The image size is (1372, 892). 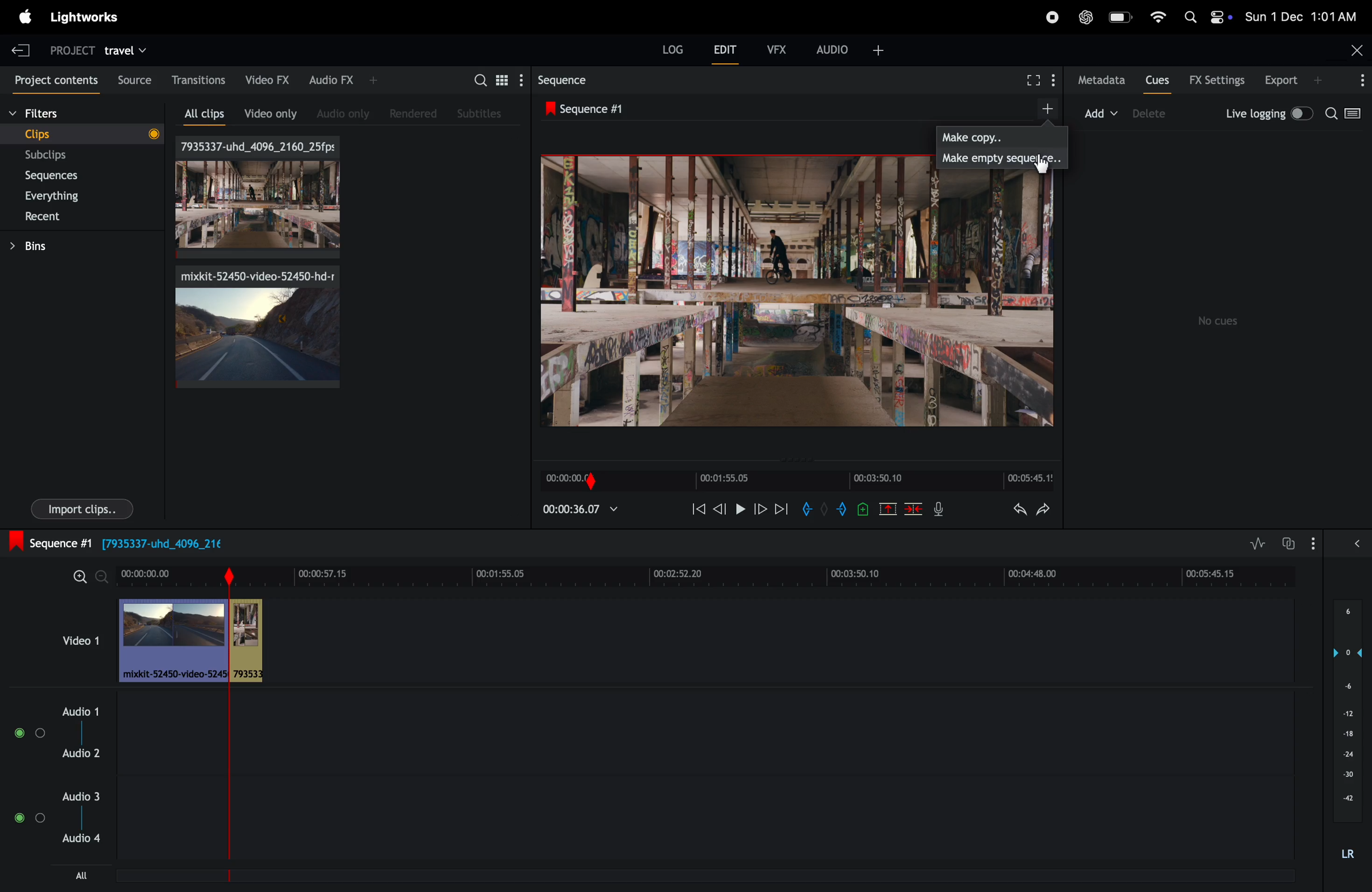 What do you see at coordinates (1004, 135) in the screenshot?
I see `make copy` at bounding box center [1004, 135].